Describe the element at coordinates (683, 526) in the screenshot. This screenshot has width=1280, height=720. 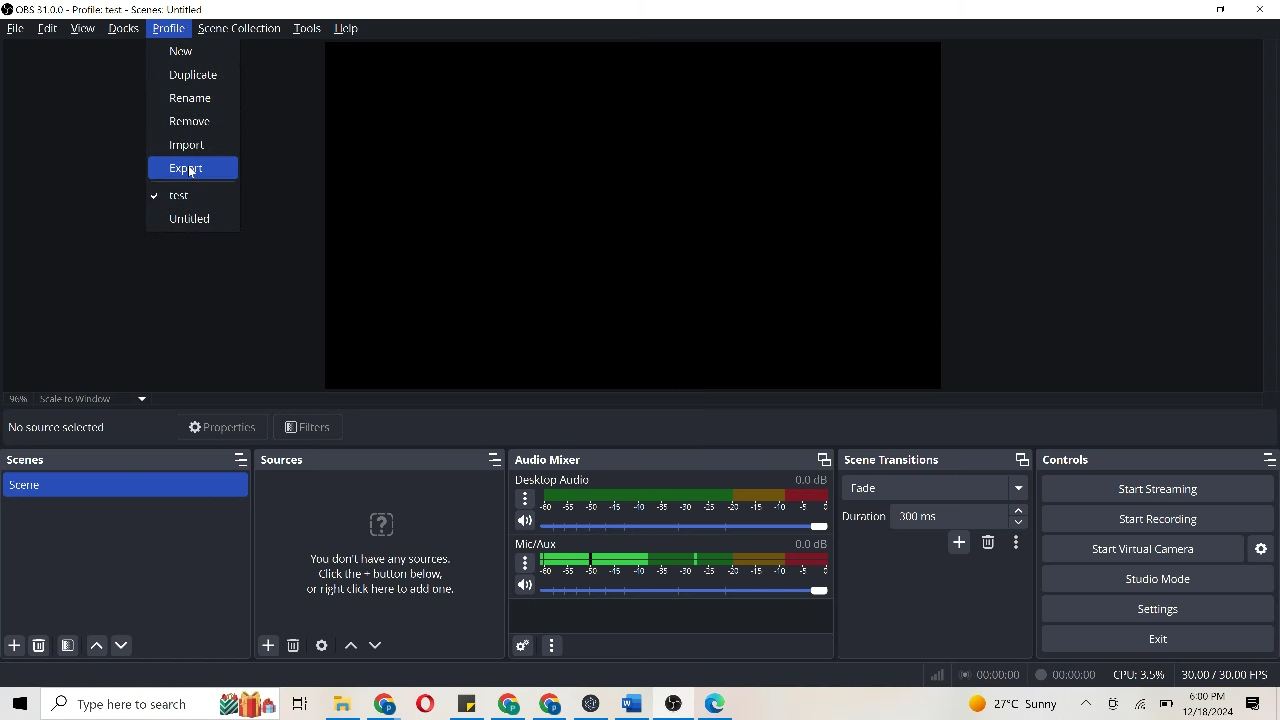
I see `slider` at that location.